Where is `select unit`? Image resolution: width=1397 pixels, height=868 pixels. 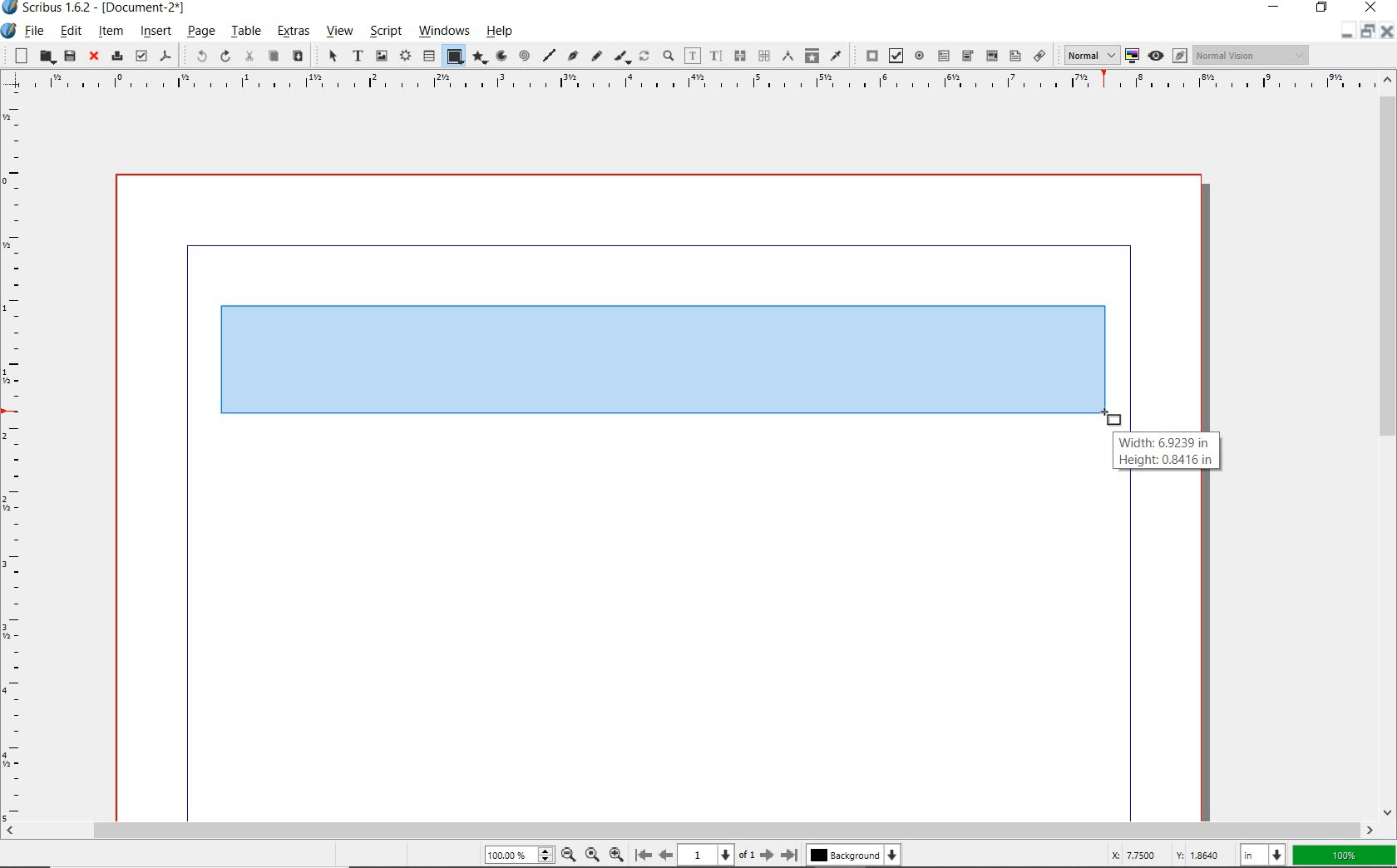
select unit is located at coordinates (1261, 856).